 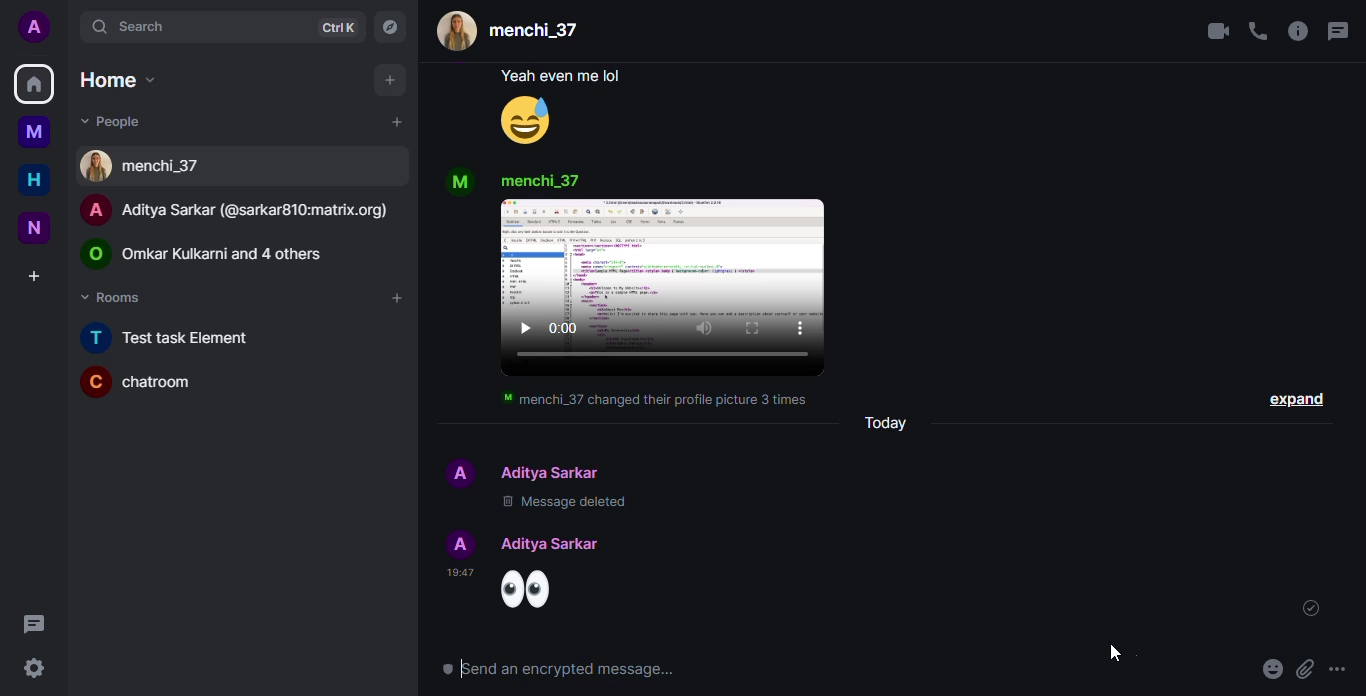 What do you see at coordinates (900, 424) in the screenshot?
I see `today` at bounding box center [900, 424].